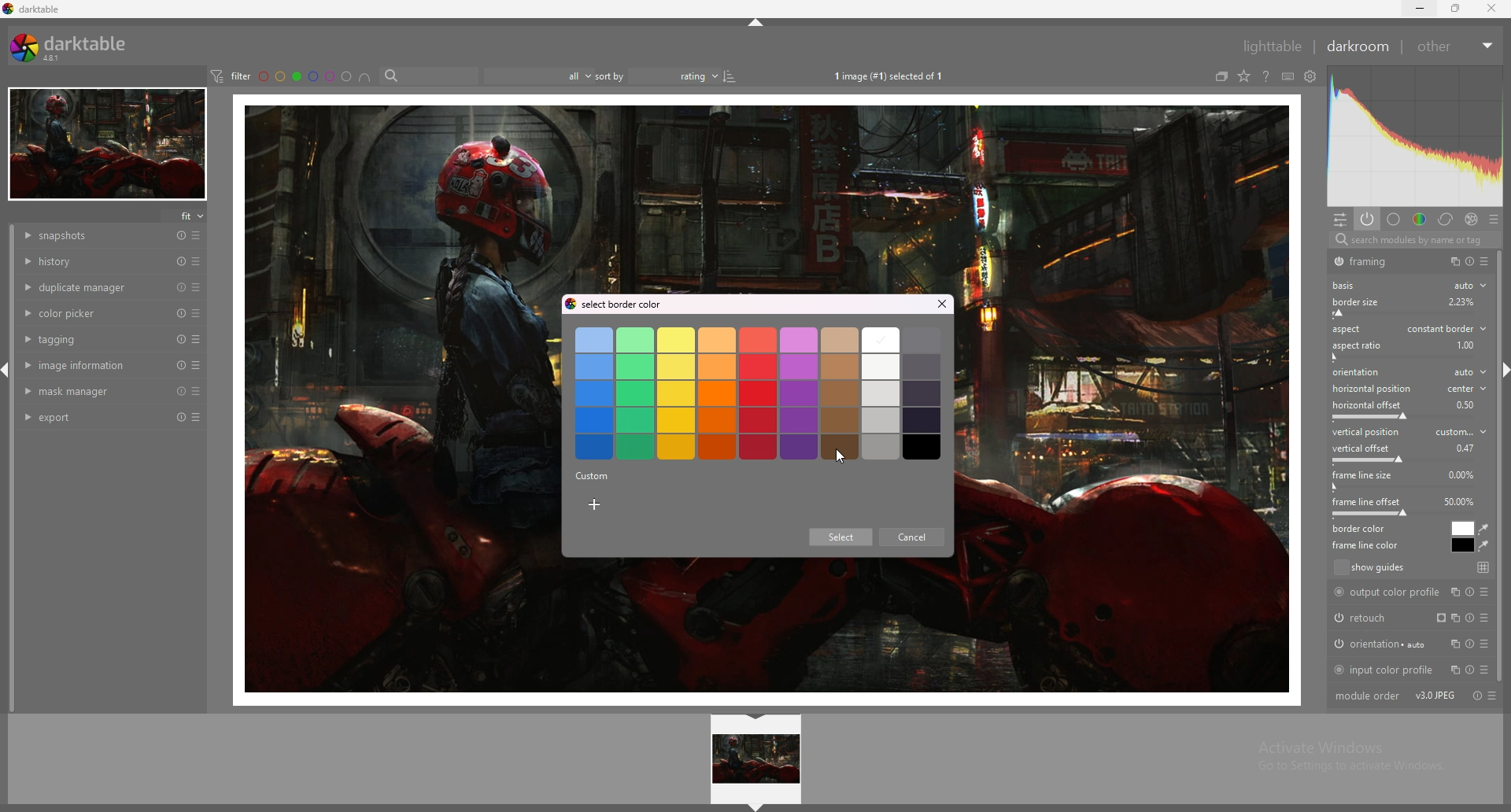 The image size is (1511, 812). I want to click on percentage, so click(1458, 502).